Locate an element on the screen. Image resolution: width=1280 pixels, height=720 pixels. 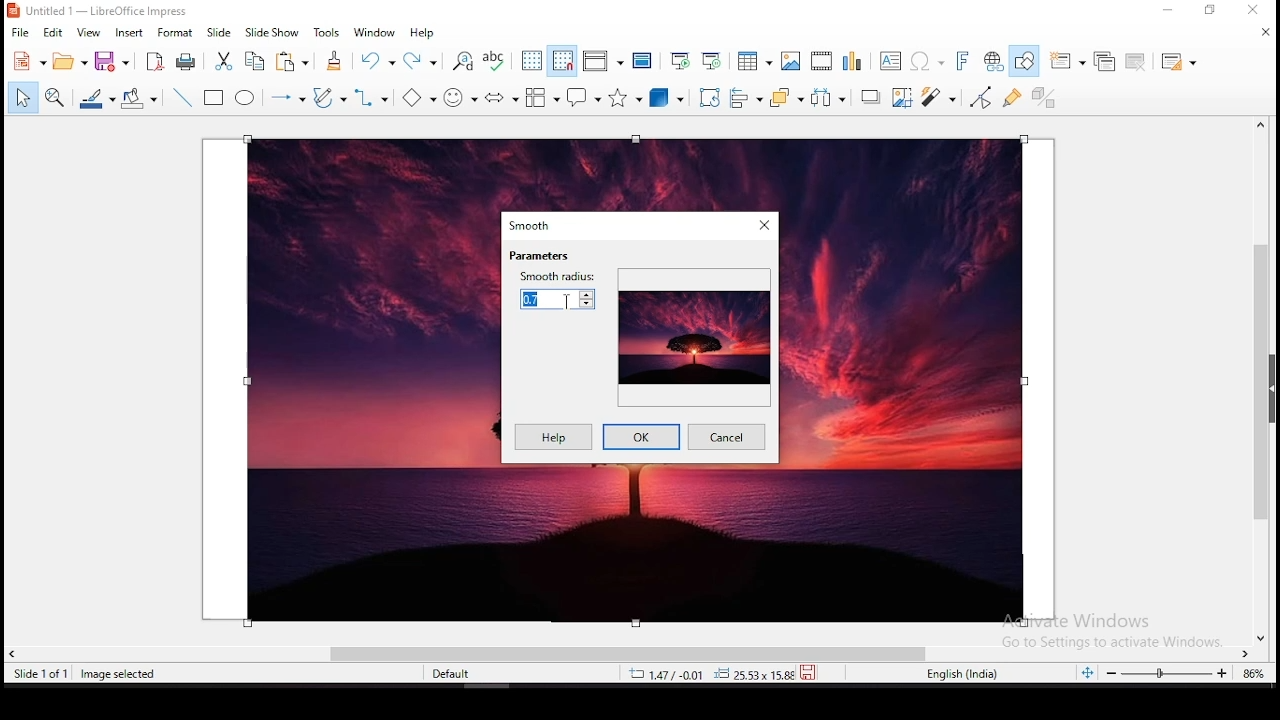
Shadow is located at coordinates (870, 98).